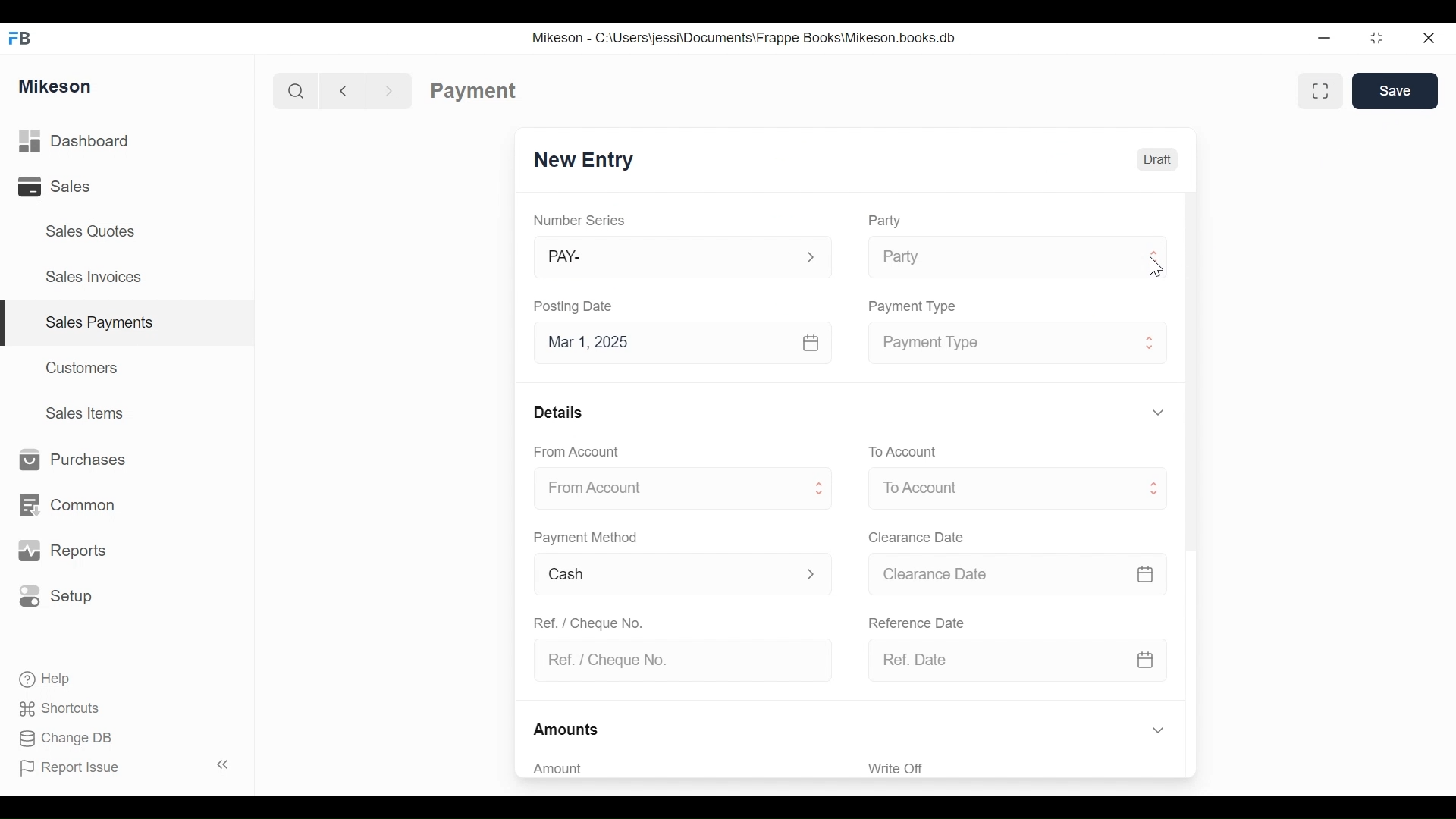 The image size is (1456, 819). I want to click on Draft, so click(1159, 159).